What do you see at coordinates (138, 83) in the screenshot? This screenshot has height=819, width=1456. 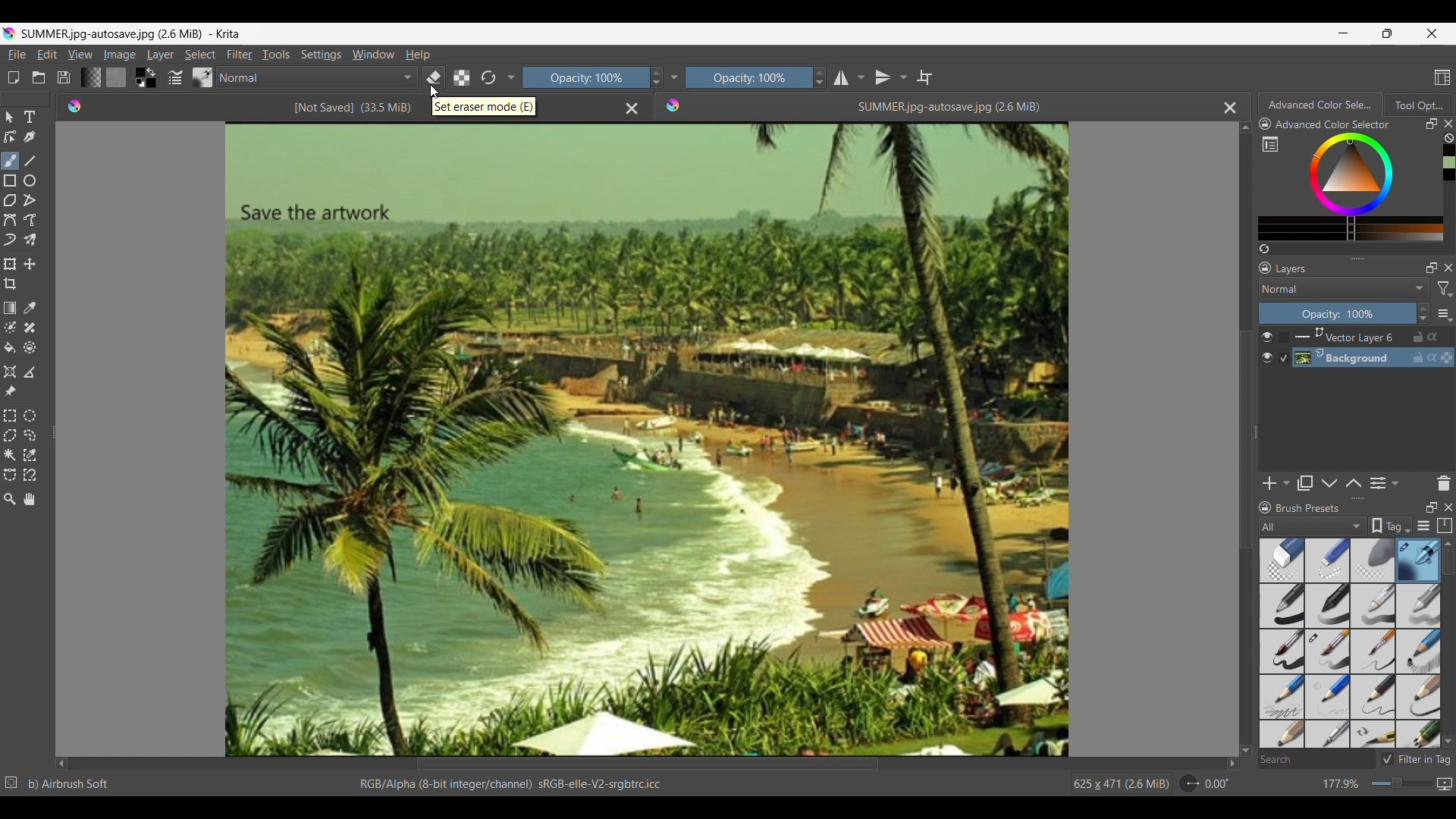 I see `Set foreground and background color as white and black respectively` at bounding box center [138, 83].